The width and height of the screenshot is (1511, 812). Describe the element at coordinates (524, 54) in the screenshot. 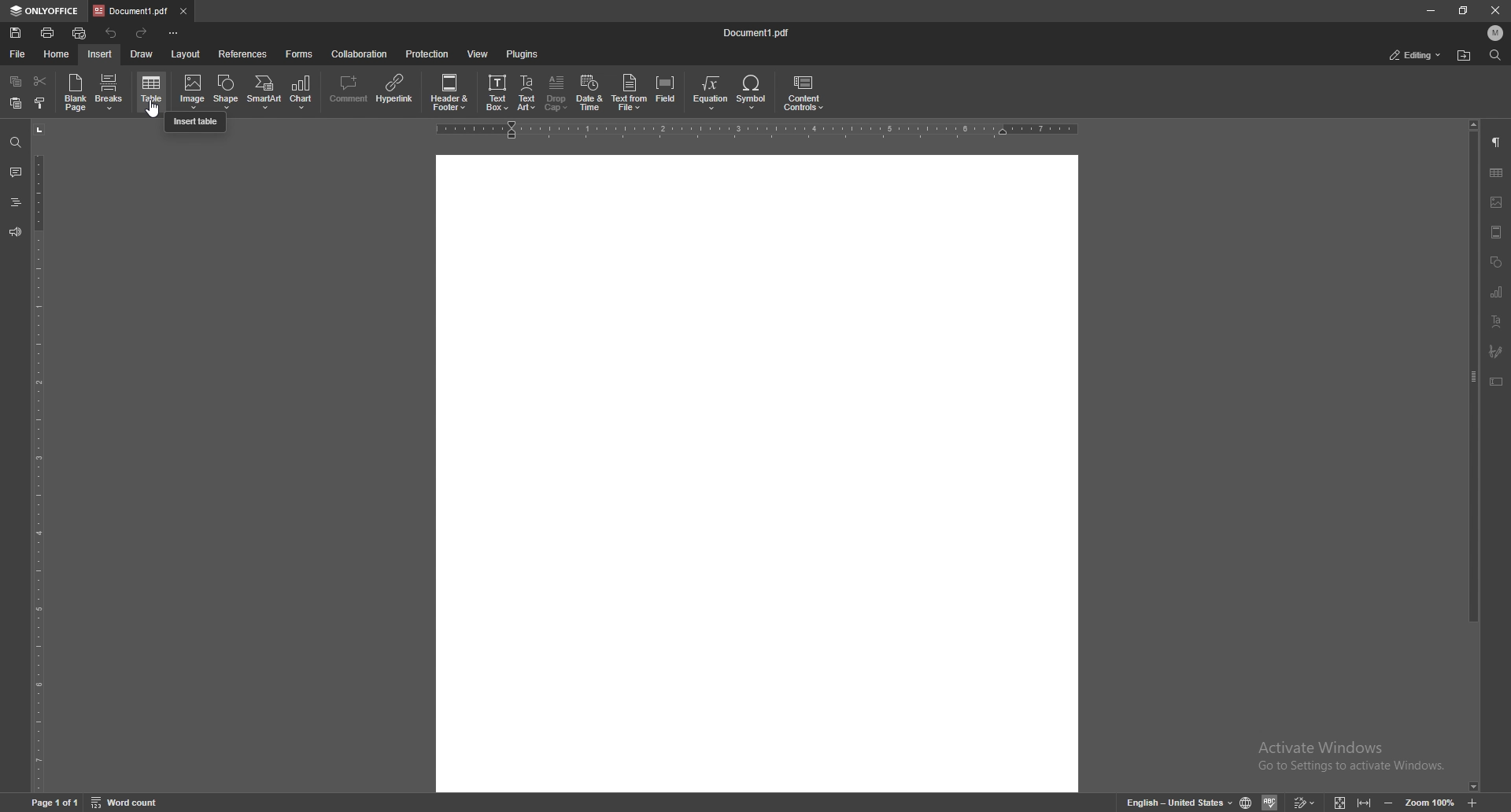

I see `plugins` at that location.